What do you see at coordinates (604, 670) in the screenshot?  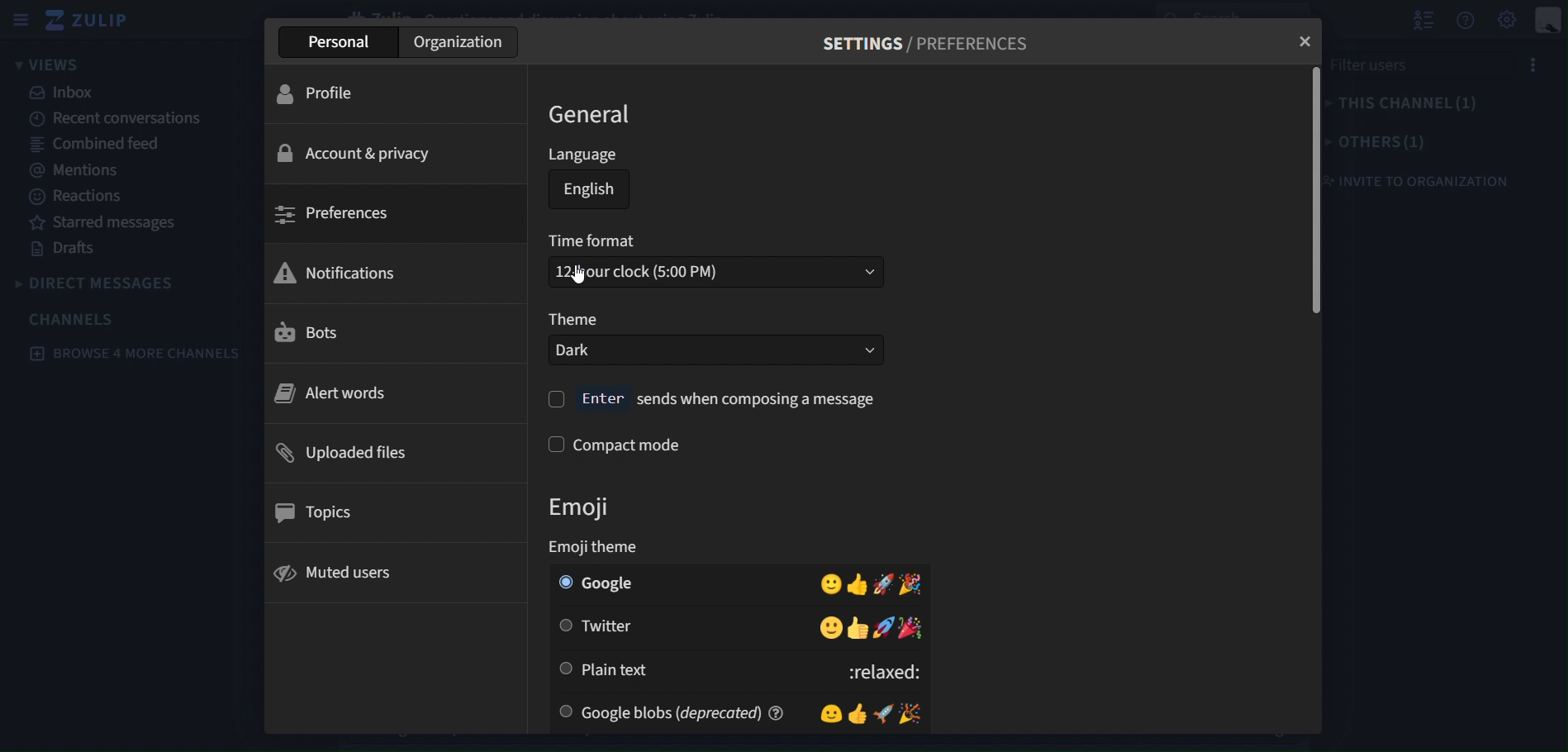 I see `plain text` at bounding box center [604, 670].